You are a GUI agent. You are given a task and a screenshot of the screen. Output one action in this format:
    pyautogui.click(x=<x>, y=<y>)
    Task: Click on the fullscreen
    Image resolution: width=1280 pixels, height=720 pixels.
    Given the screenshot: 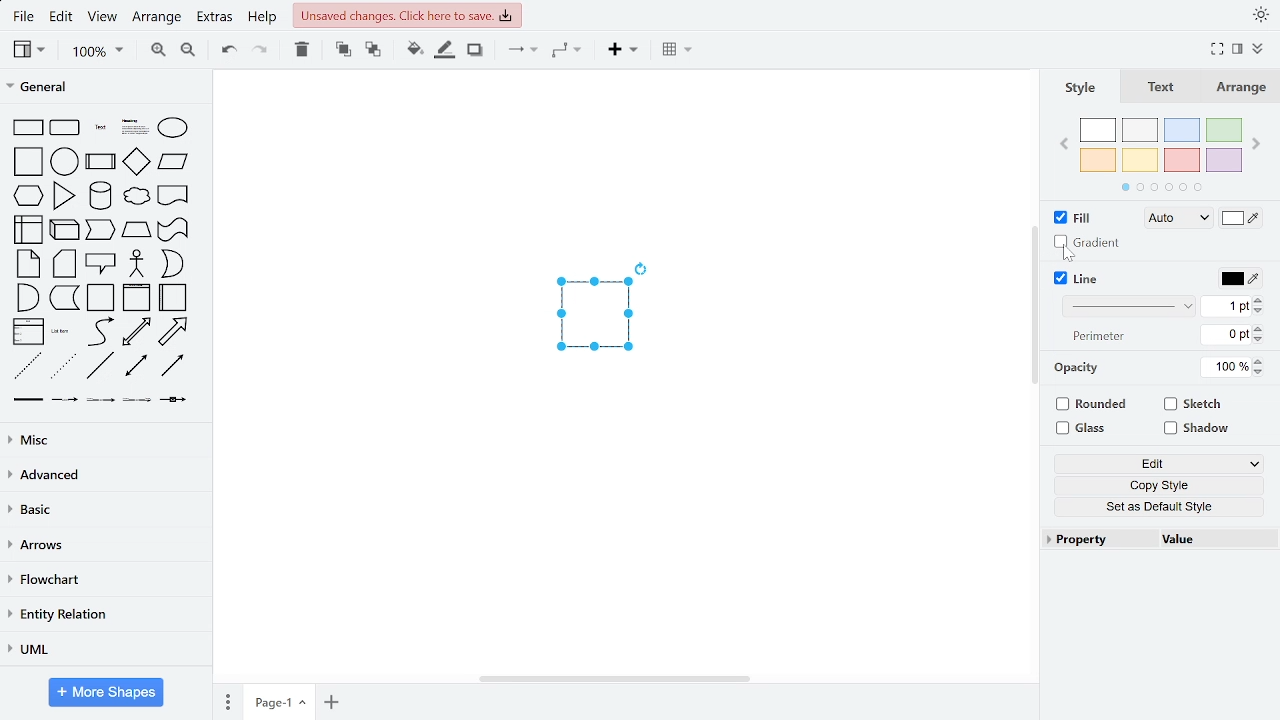 What is the action you would take?
    pyautogui.click(x=1216, y=48)
    